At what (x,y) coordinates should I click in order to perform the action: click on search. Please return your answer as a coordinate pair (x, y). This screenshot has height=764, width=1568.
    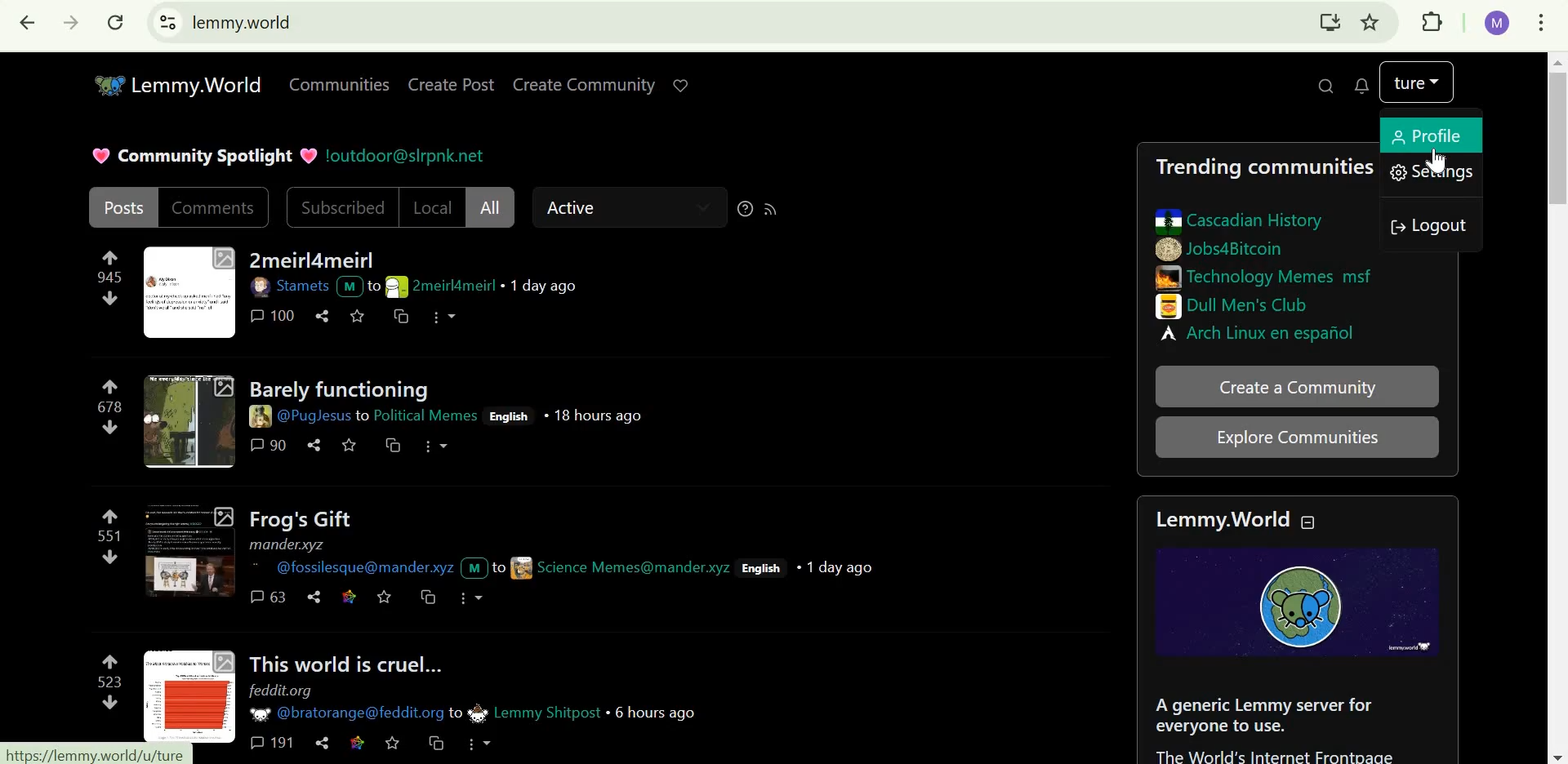
    Looking at the image, I should click on (1327, 84).